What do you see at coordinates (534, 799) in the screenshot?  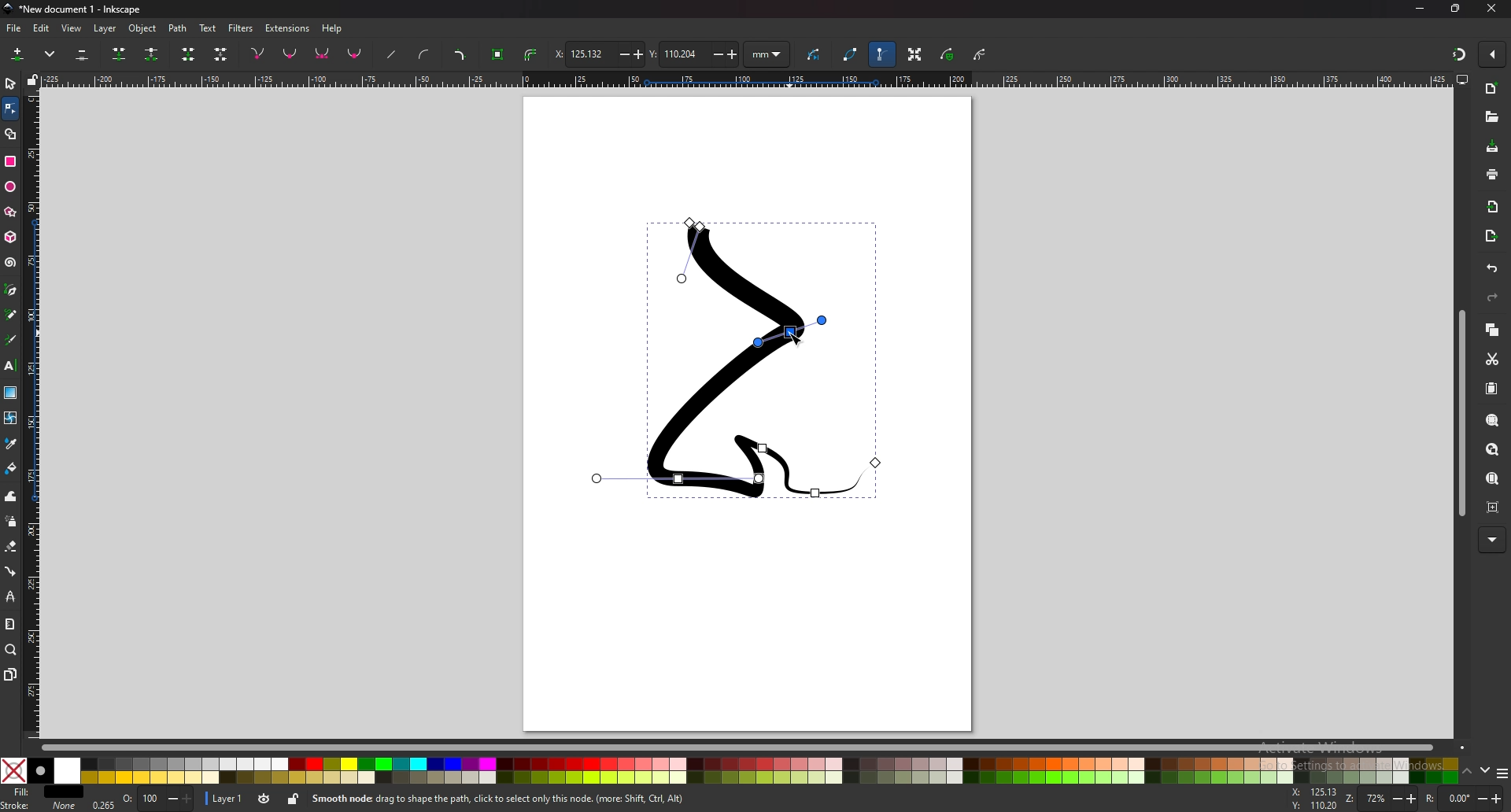 I see `info` at bounding box center [534, 799].